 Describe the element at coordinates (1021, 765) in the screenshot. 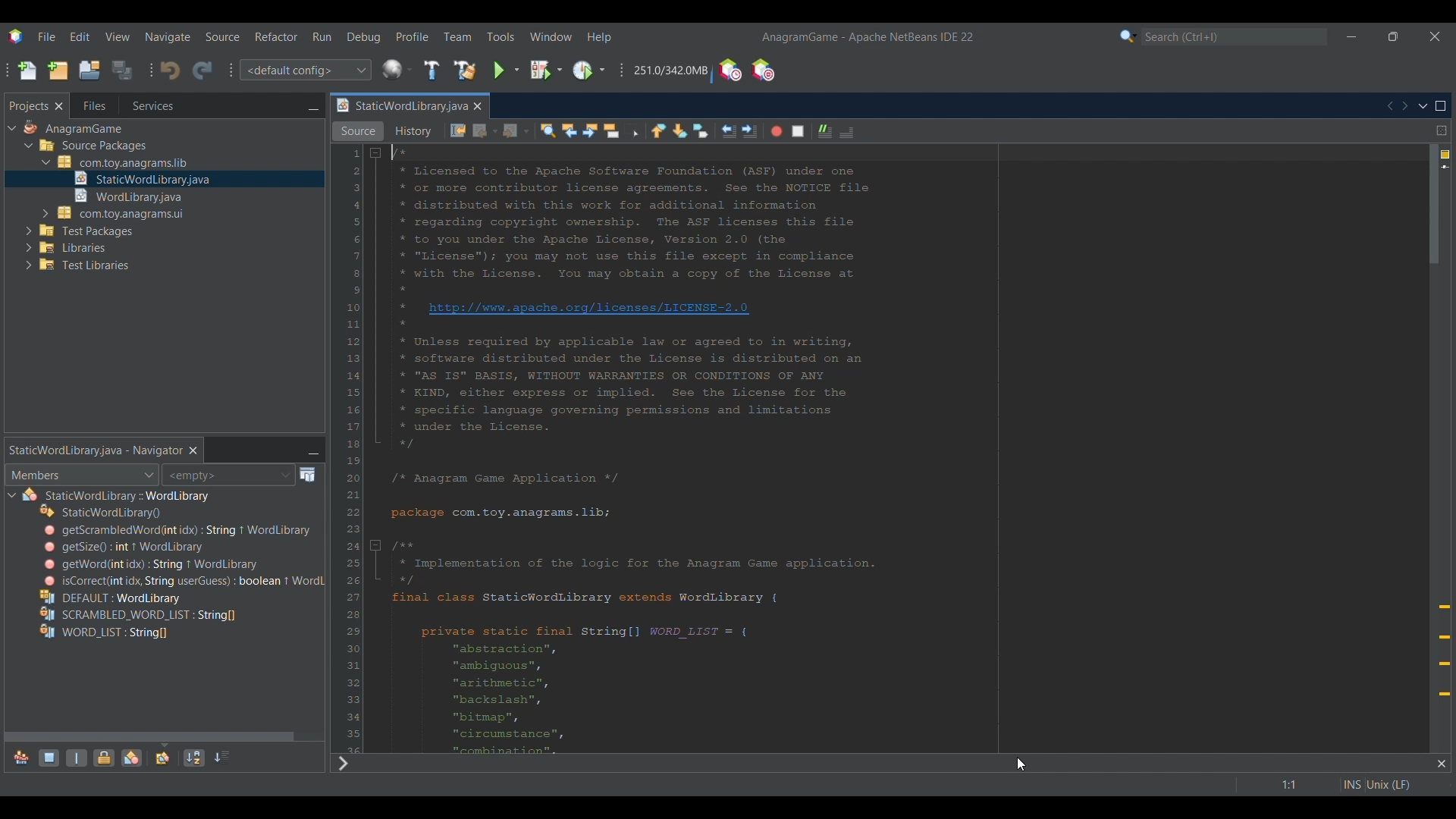

I see `cursor` at that location.